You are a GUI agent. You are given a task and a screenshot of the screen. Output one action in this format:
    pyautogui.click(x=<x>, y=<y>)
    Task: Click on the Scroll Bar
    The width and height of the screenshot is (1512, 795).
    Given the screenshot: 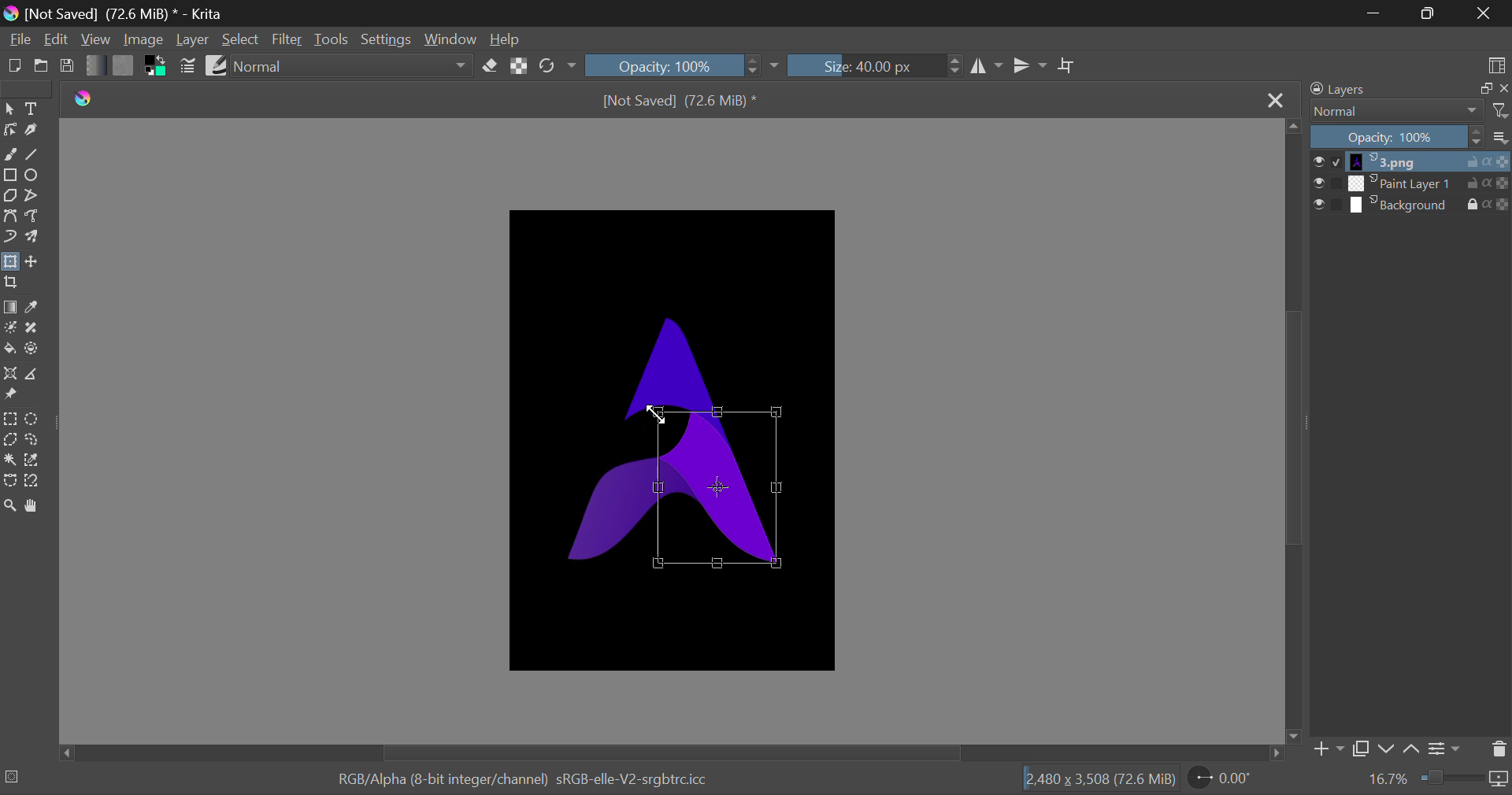 What is the action you would take?
    pyautogui.click(x=671, y=752)
    